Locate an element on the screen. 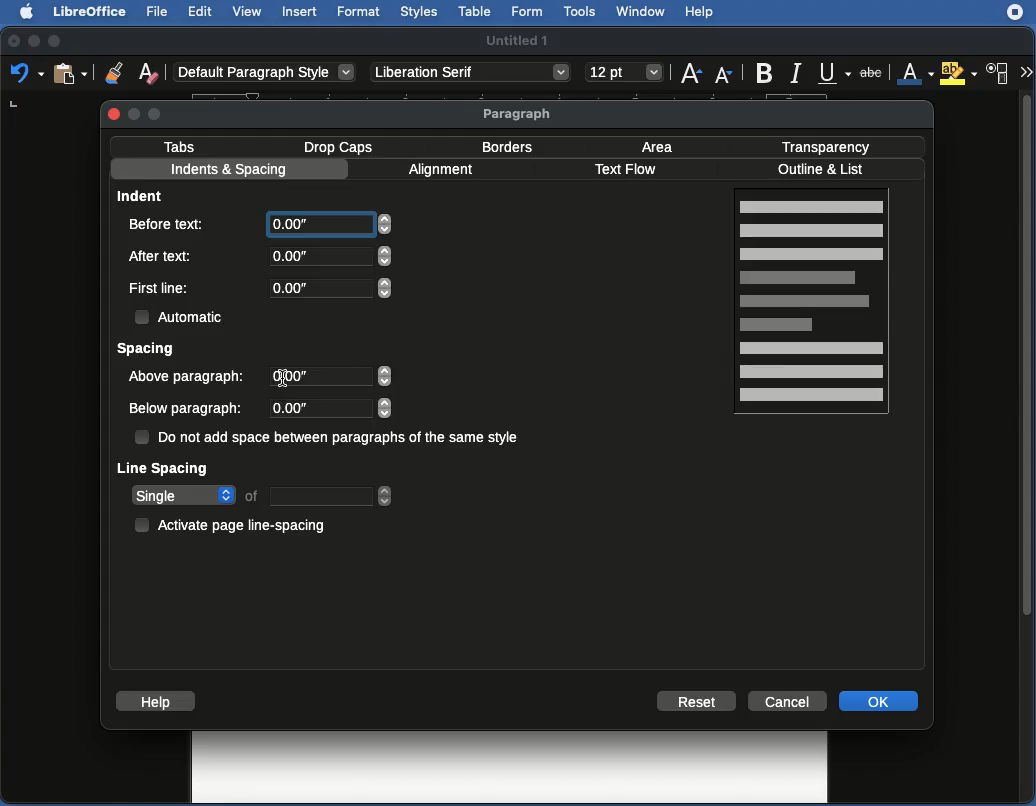 This screenshot has height=806, width=1036. Tools is located at coordinates (581, 12).